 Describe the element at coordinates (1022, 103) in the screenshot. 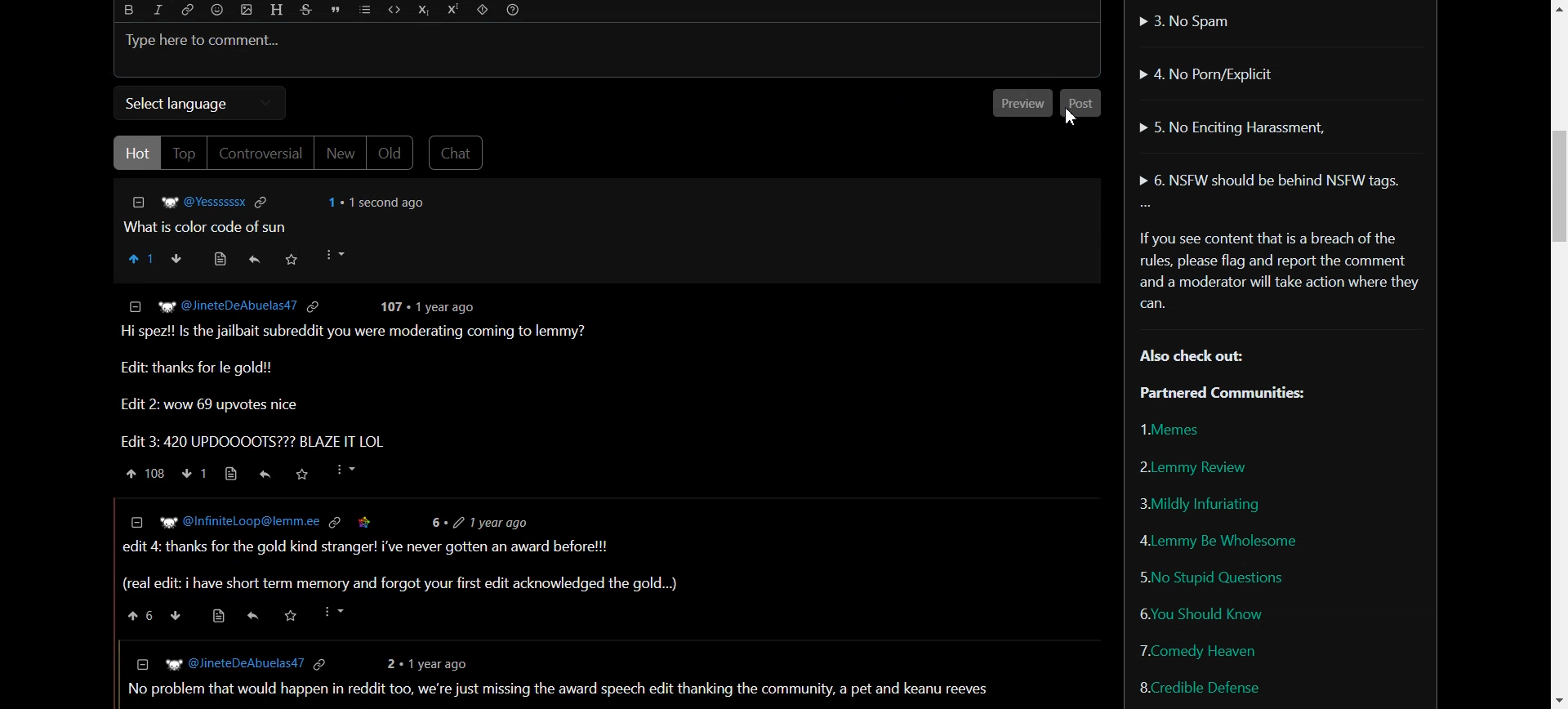

I see `Preview` at that location.